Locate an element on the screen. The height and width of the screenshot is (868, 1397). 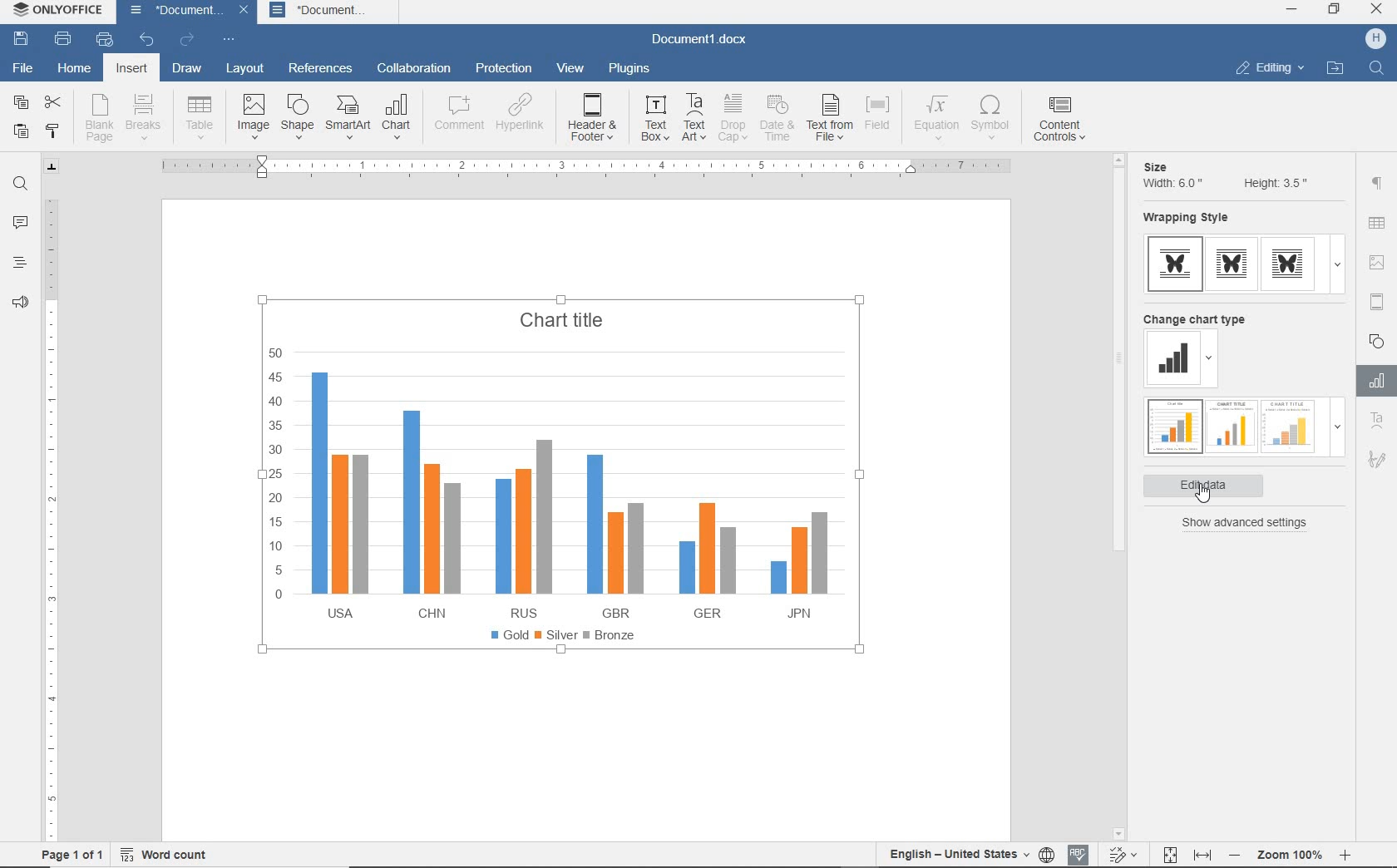
show advanced settings is located at coordinates (1249, 523).